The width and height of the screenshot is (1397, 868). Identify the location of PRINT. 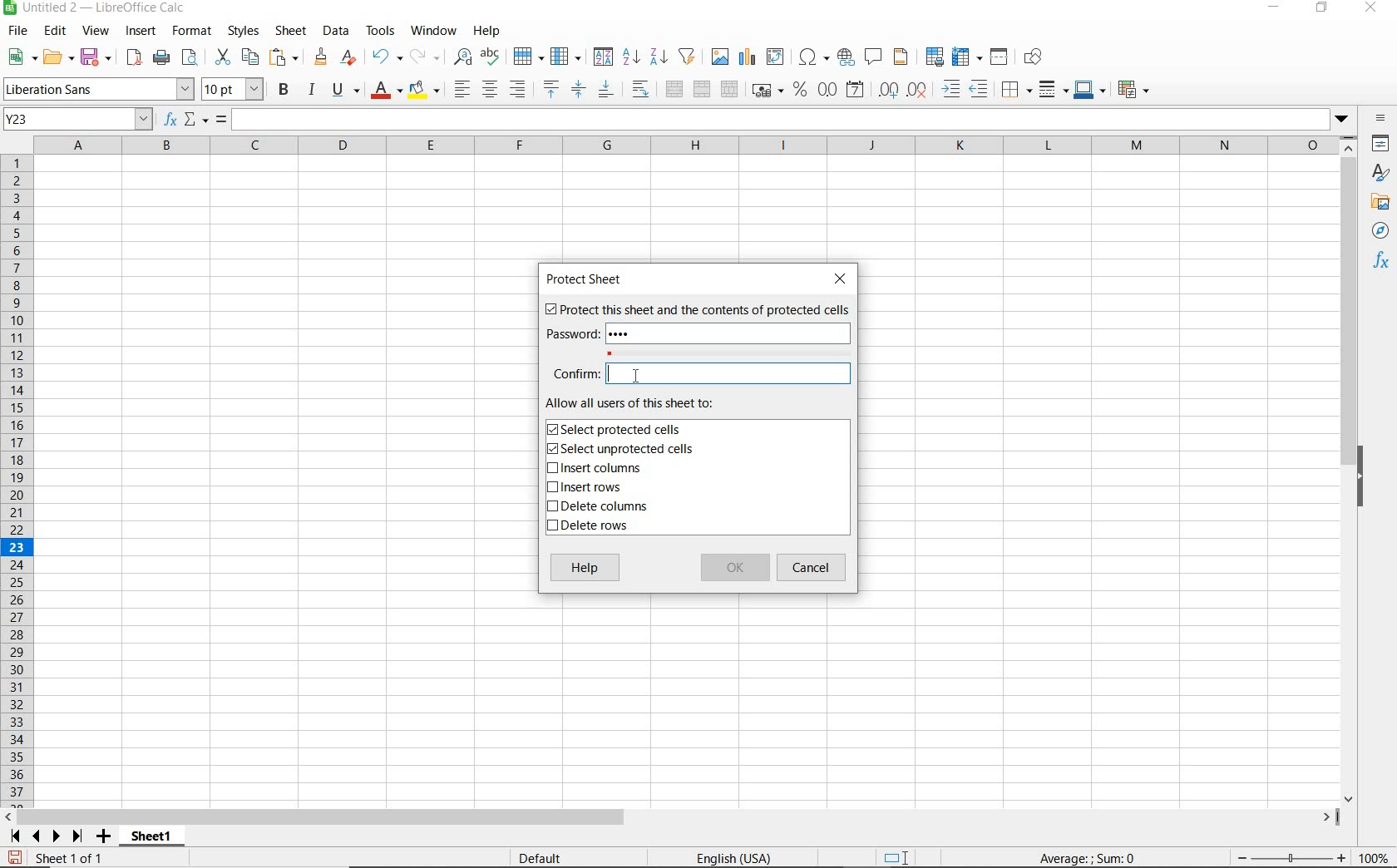
(161, 58).